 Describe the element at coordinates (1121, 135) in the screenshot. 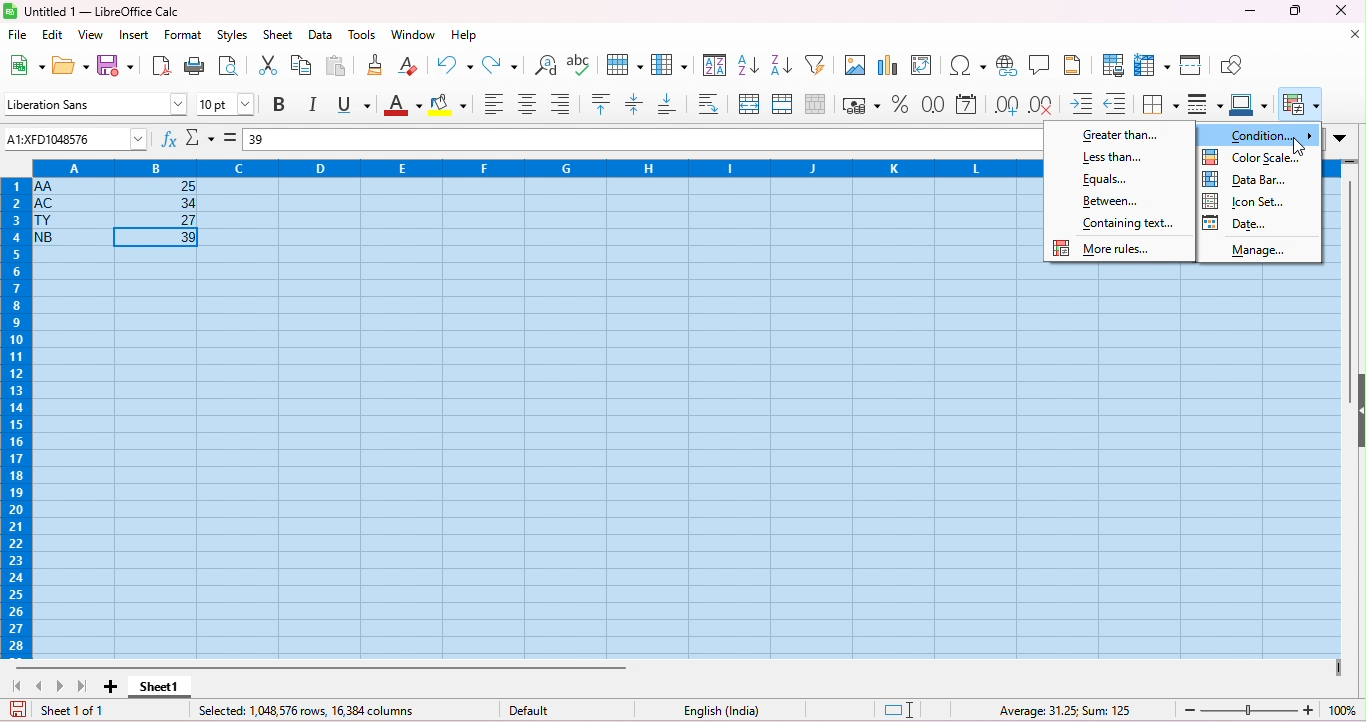

I see `greater than` at that location.